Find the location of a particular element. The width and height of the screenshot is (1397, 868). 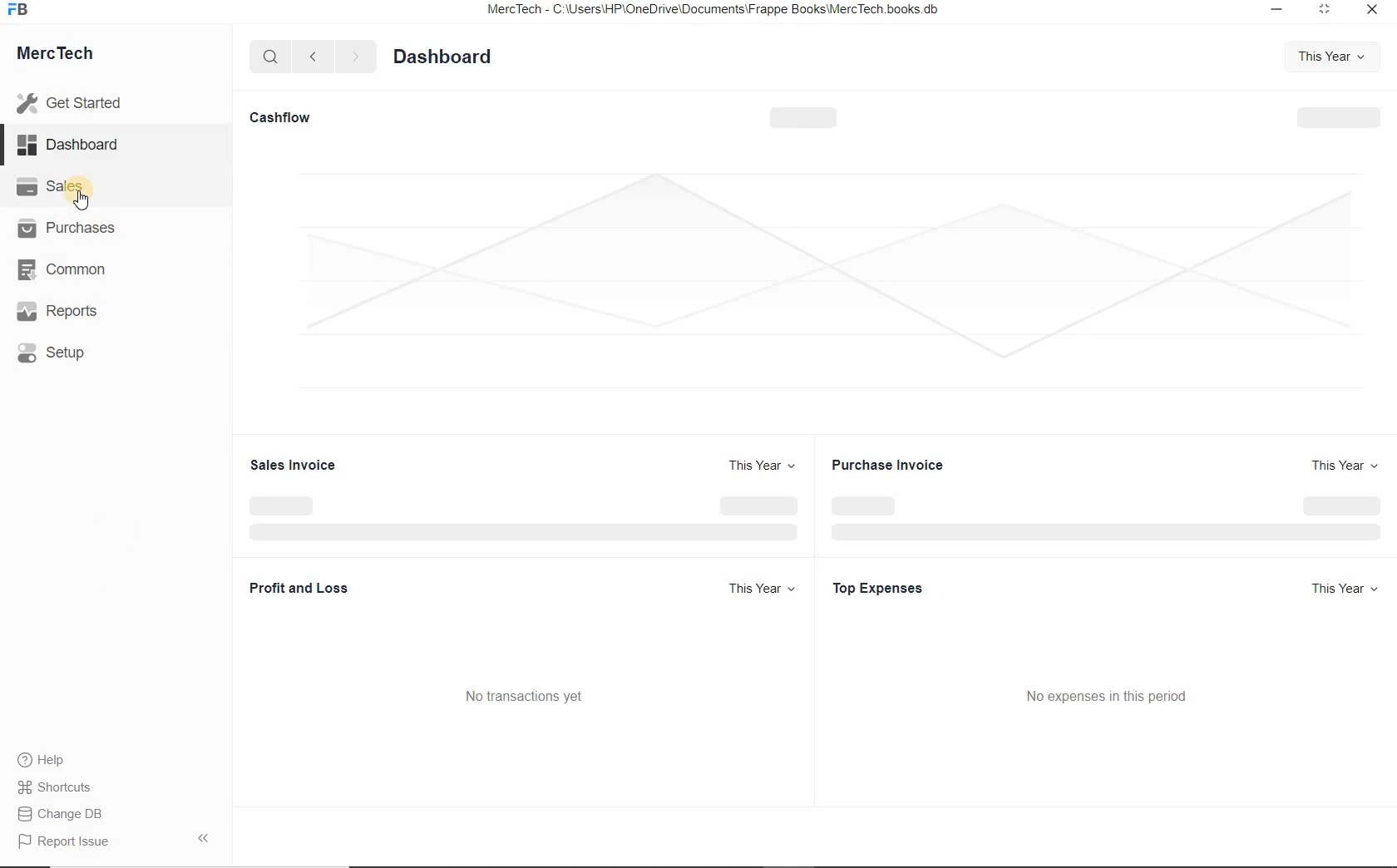

Purchases is located at coordinates (67, 231).